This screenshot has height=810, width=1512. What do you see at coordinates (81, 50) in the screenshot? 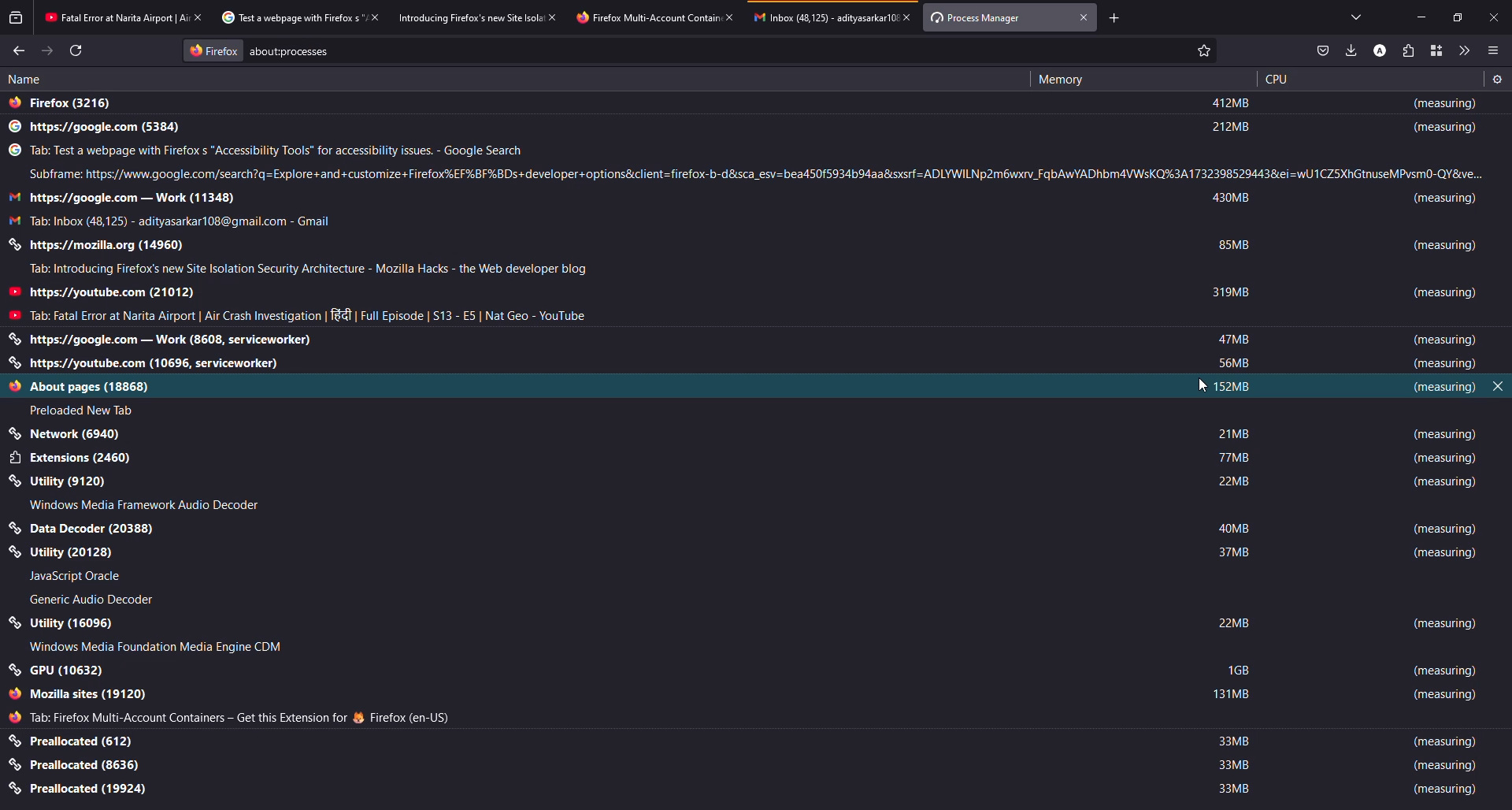
I see `refresh` at bounding box center [81, 50].